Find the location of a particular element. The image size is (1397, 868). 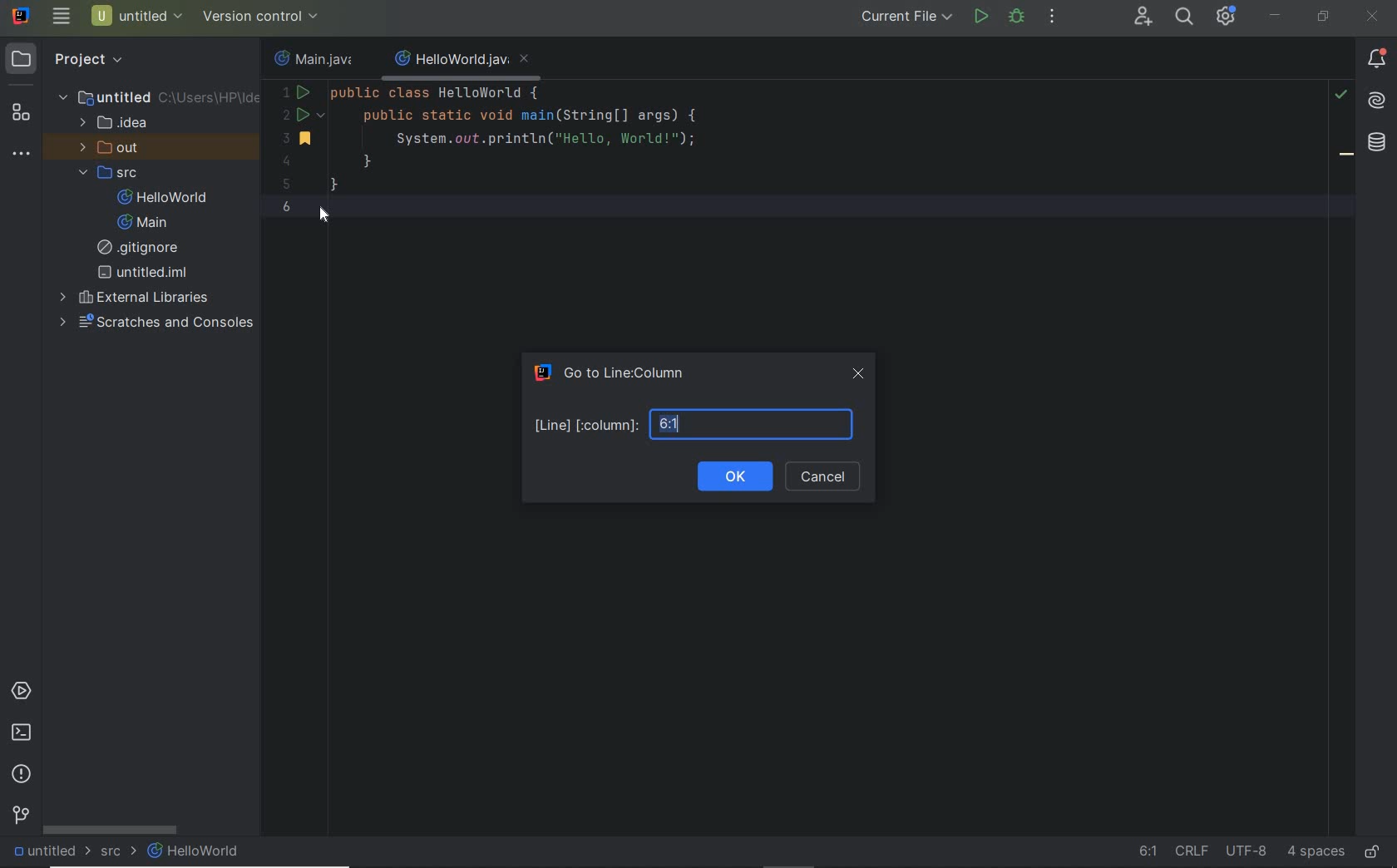

external Libraries is located at coordinates (134, 296).